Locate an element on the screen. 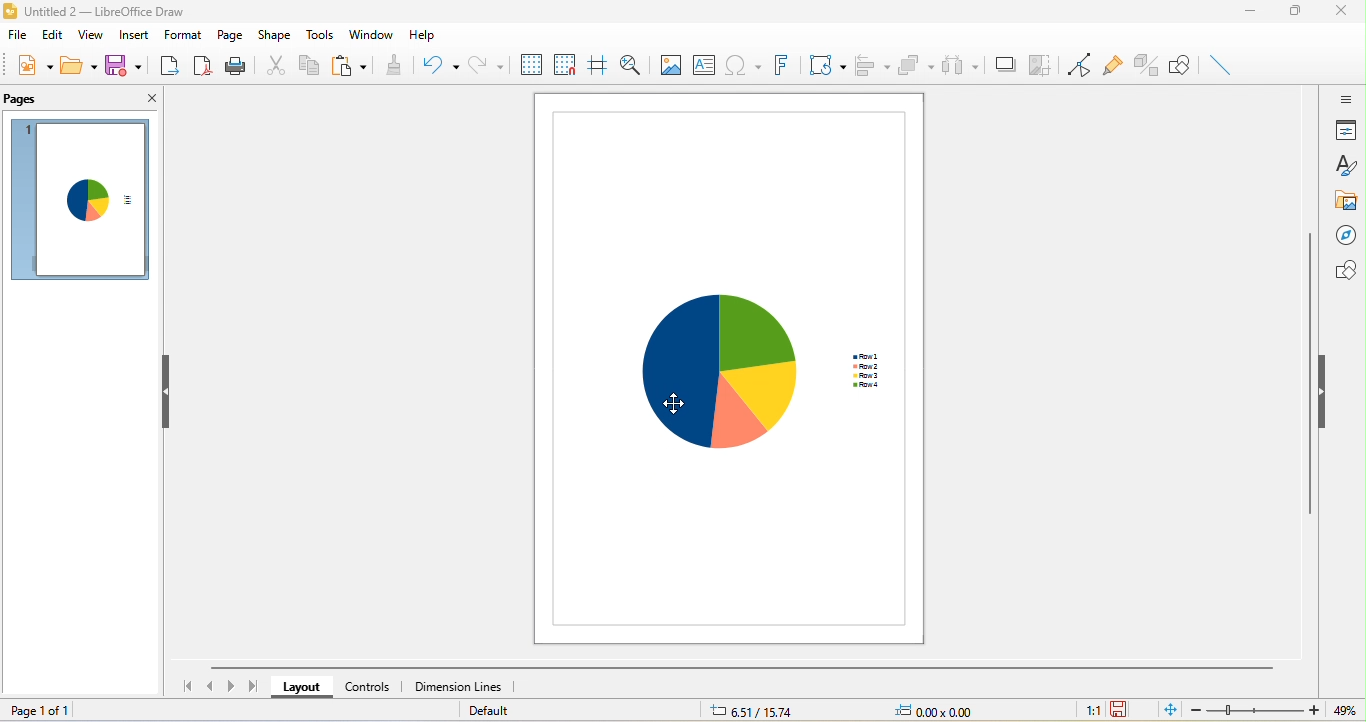 The height and width of the screenshot is (722, 1366). arrange is located at coordinates (915, 66).